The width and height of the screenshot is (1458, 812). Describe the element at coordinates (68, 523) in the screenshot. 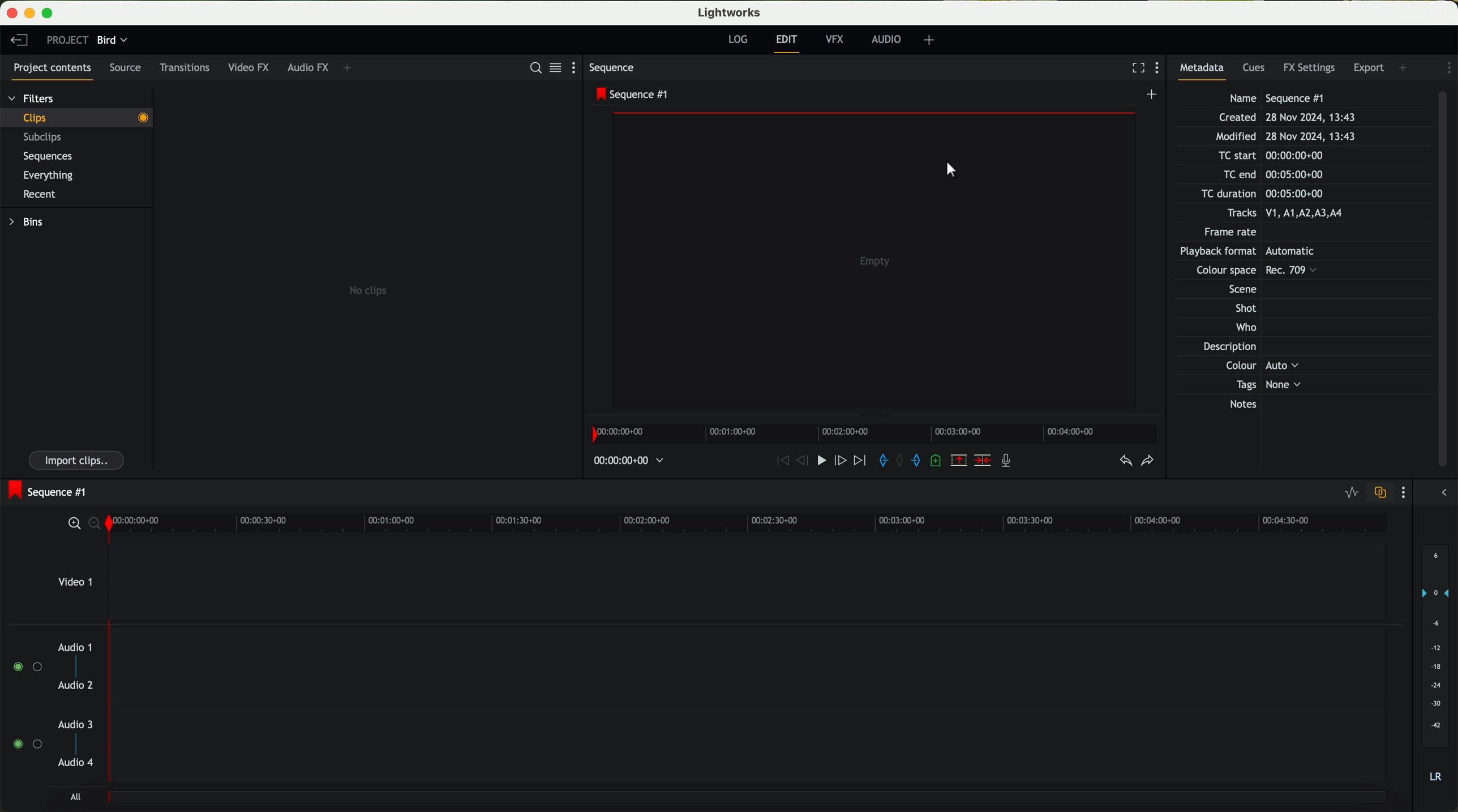

I see `zoom in` at that location.